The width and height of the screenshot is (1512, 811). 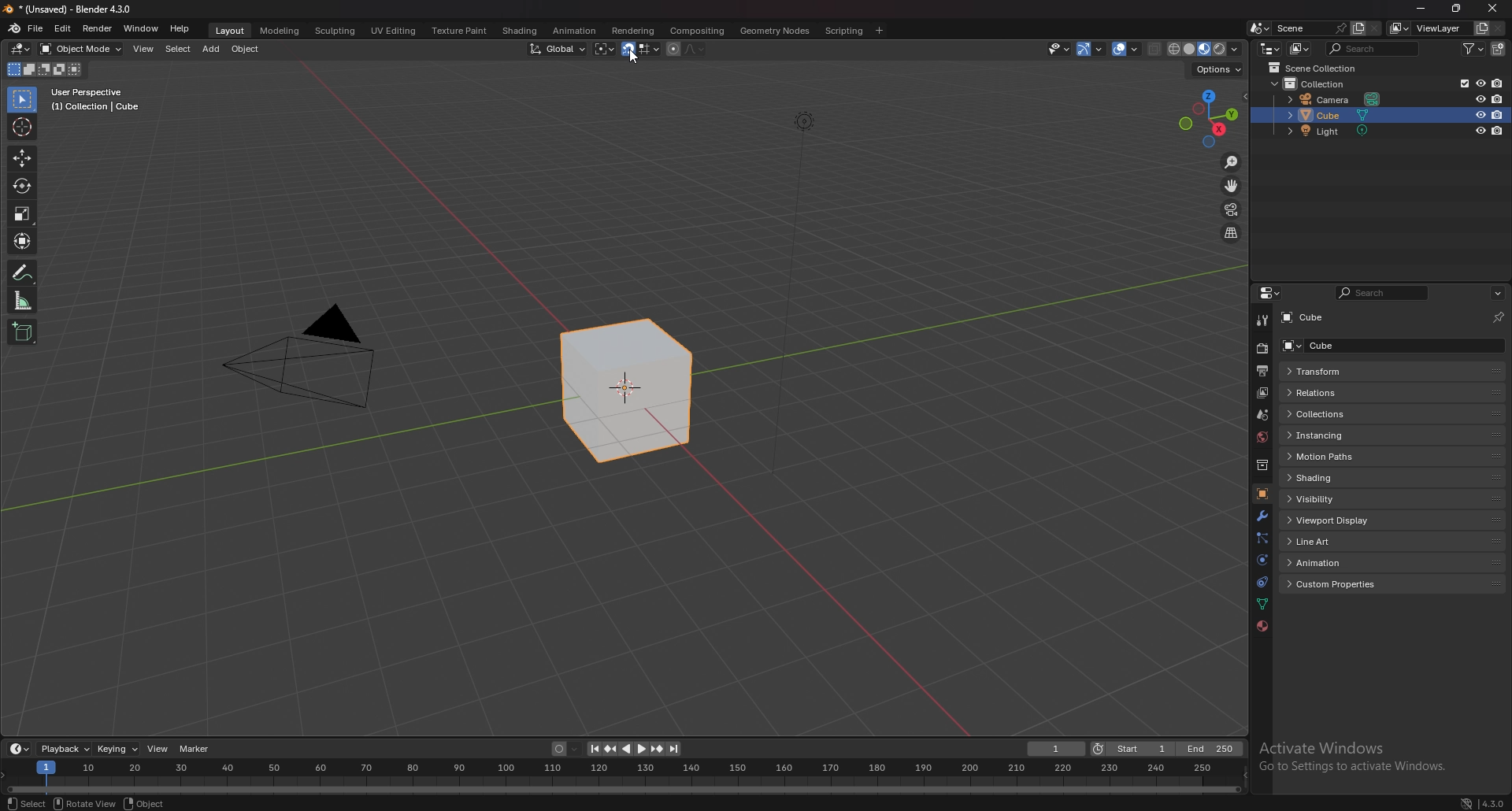 What do you see at coordinates (23, 300) in the screenshot?
I see `measure` at bounding box center [23, 300].